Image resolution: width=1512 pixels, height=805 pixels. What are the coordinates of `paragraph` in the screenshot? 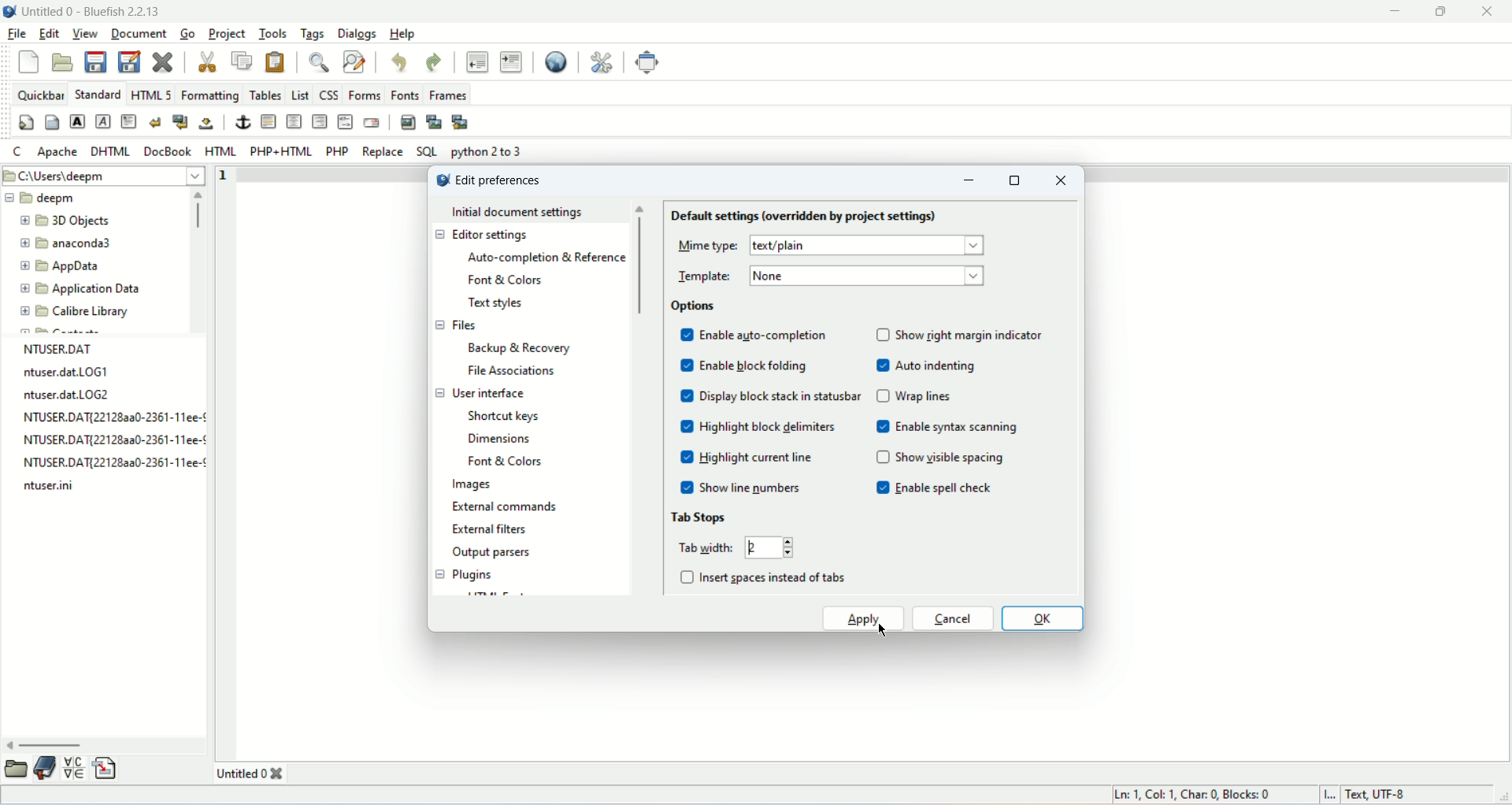 It's located at (127, 122).